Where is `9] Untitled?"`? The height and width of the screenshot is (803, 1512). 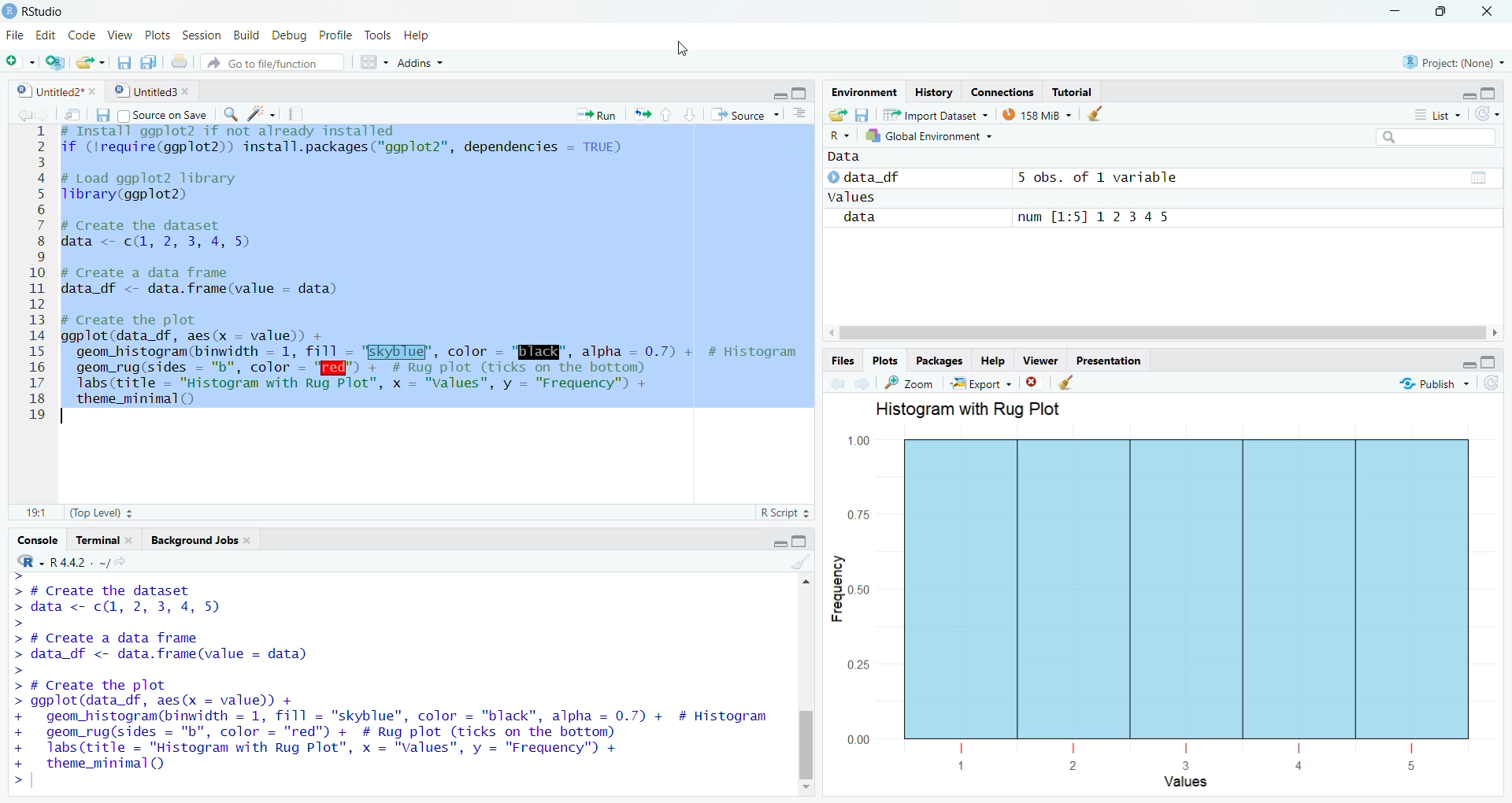
9] Untitled?" is located at coordinates (48, 92).